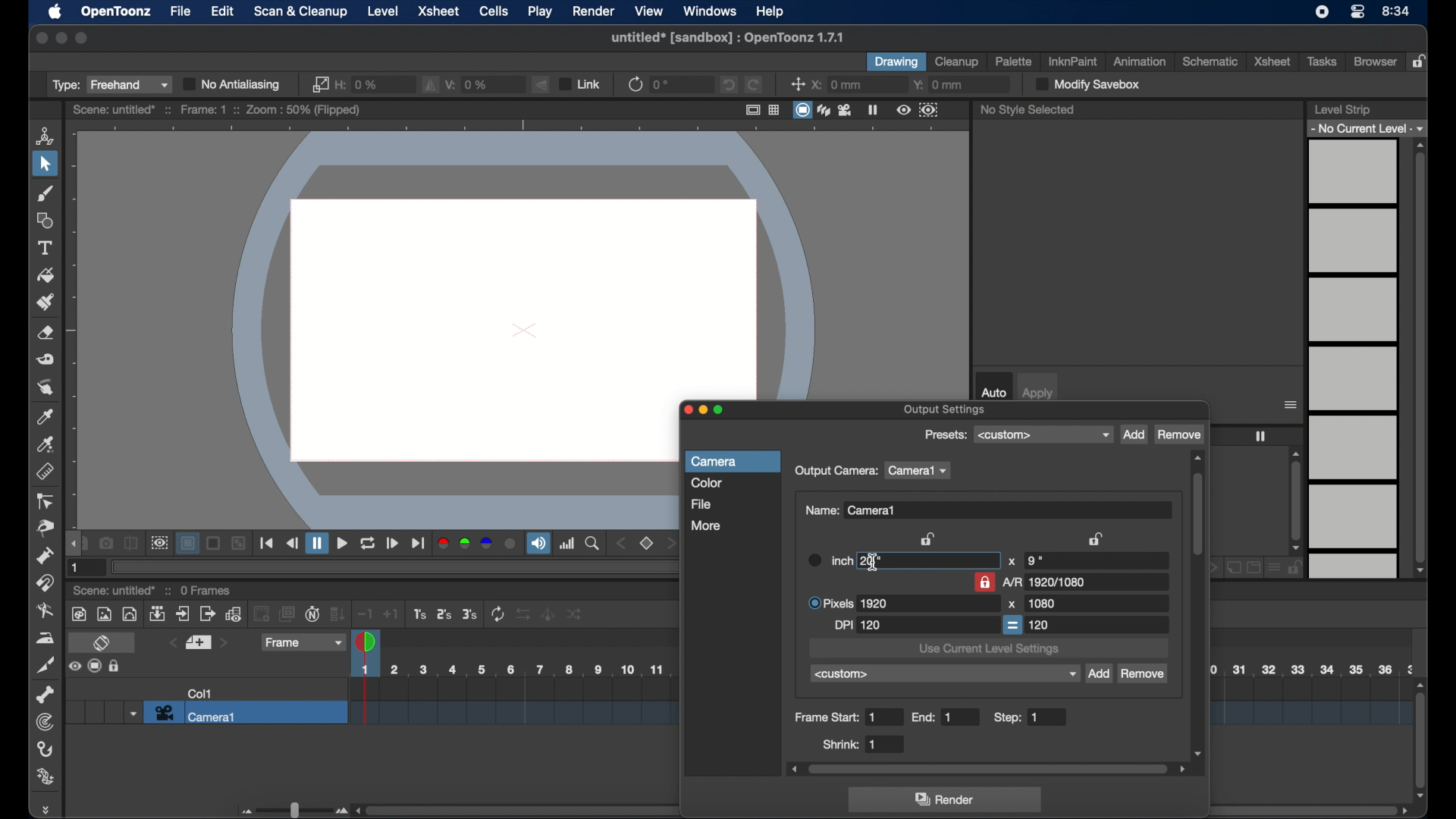 This screenshot has height=819, width=1456. I want to click on color channels, so click(477, 544).